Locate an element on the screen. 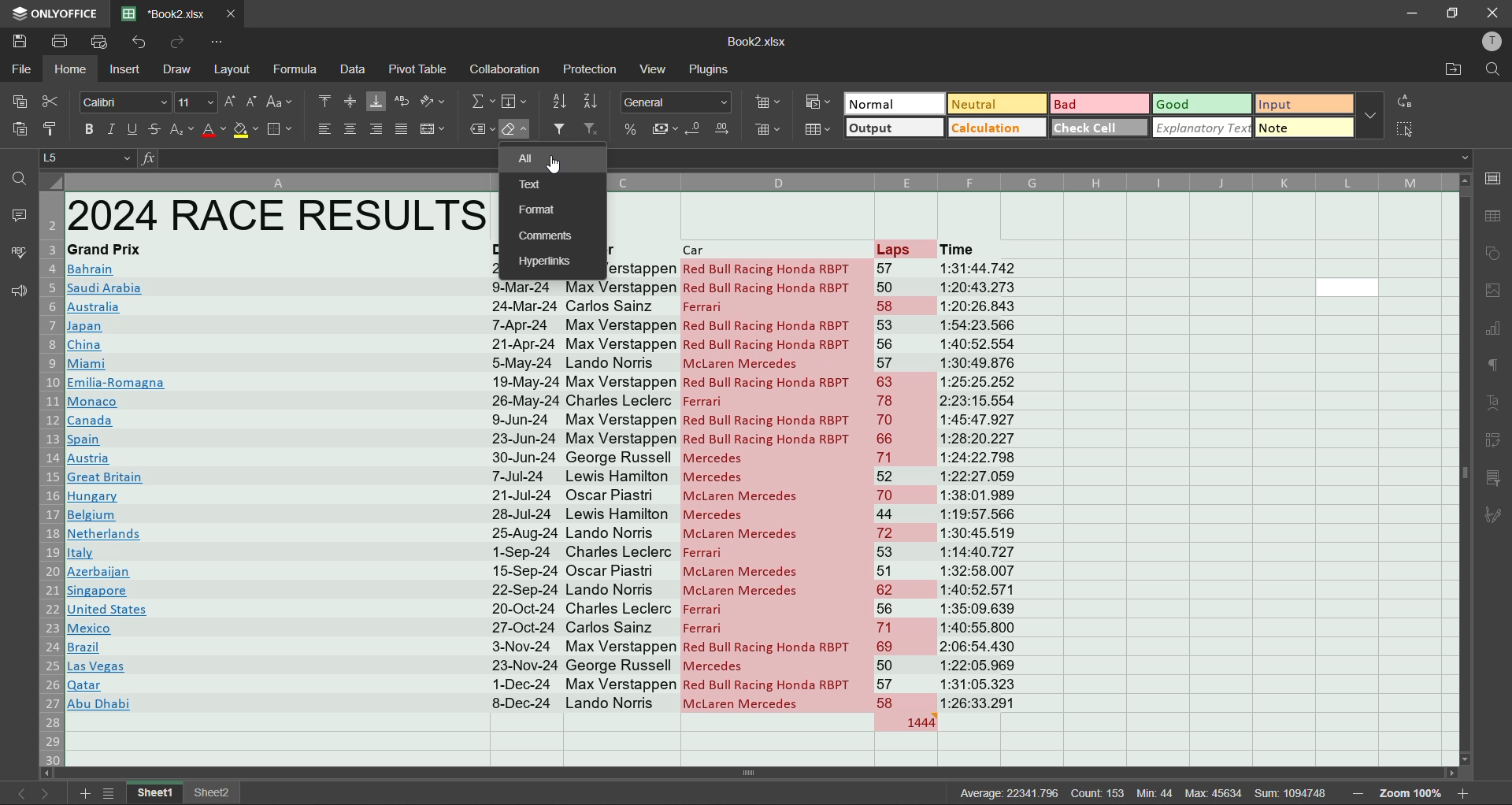 This screenshot has height=805, width=1512. insert is located at coordinates (124, 70).